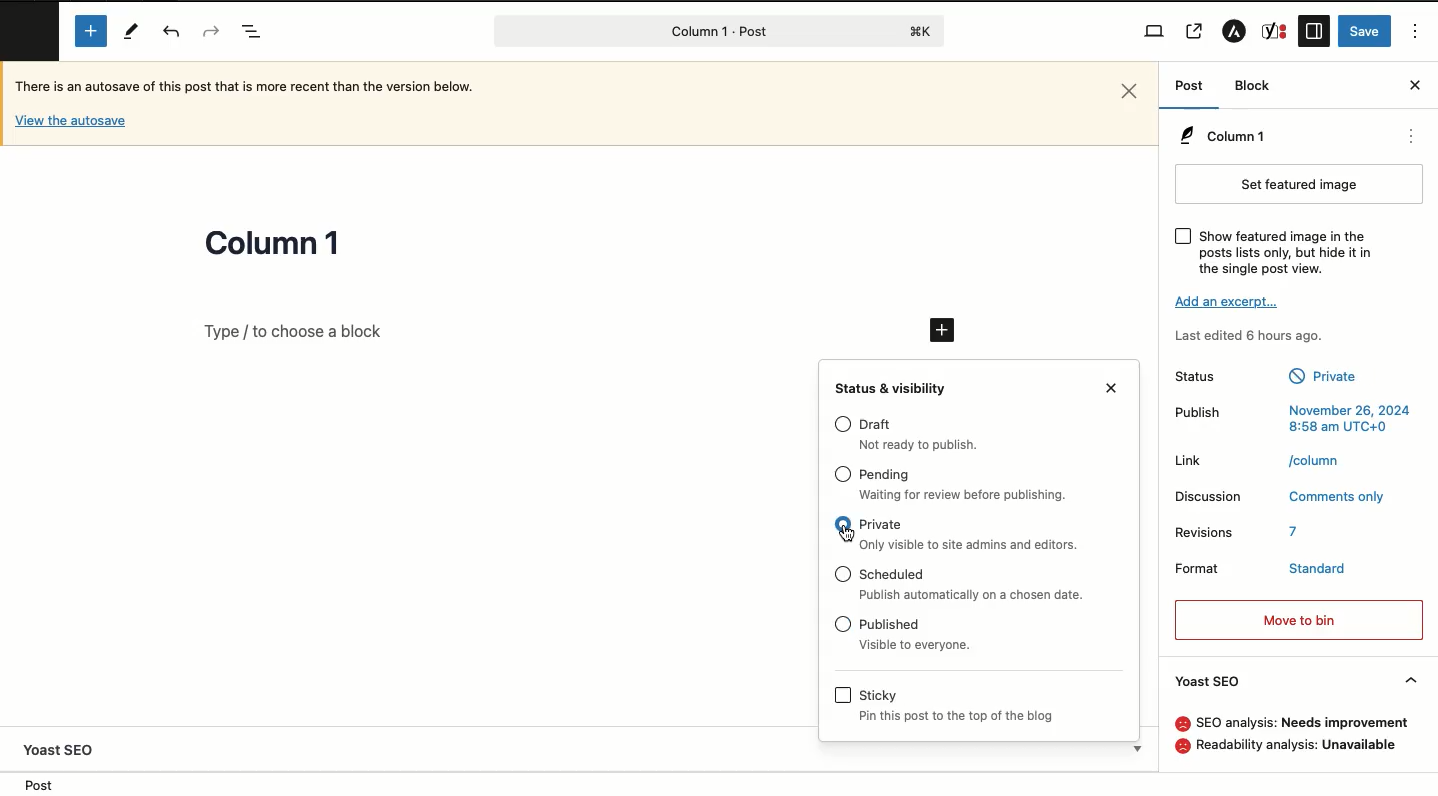 This screenshot has width=1438, height=796. I want to click on Add excerpt, so click(1231, 300).